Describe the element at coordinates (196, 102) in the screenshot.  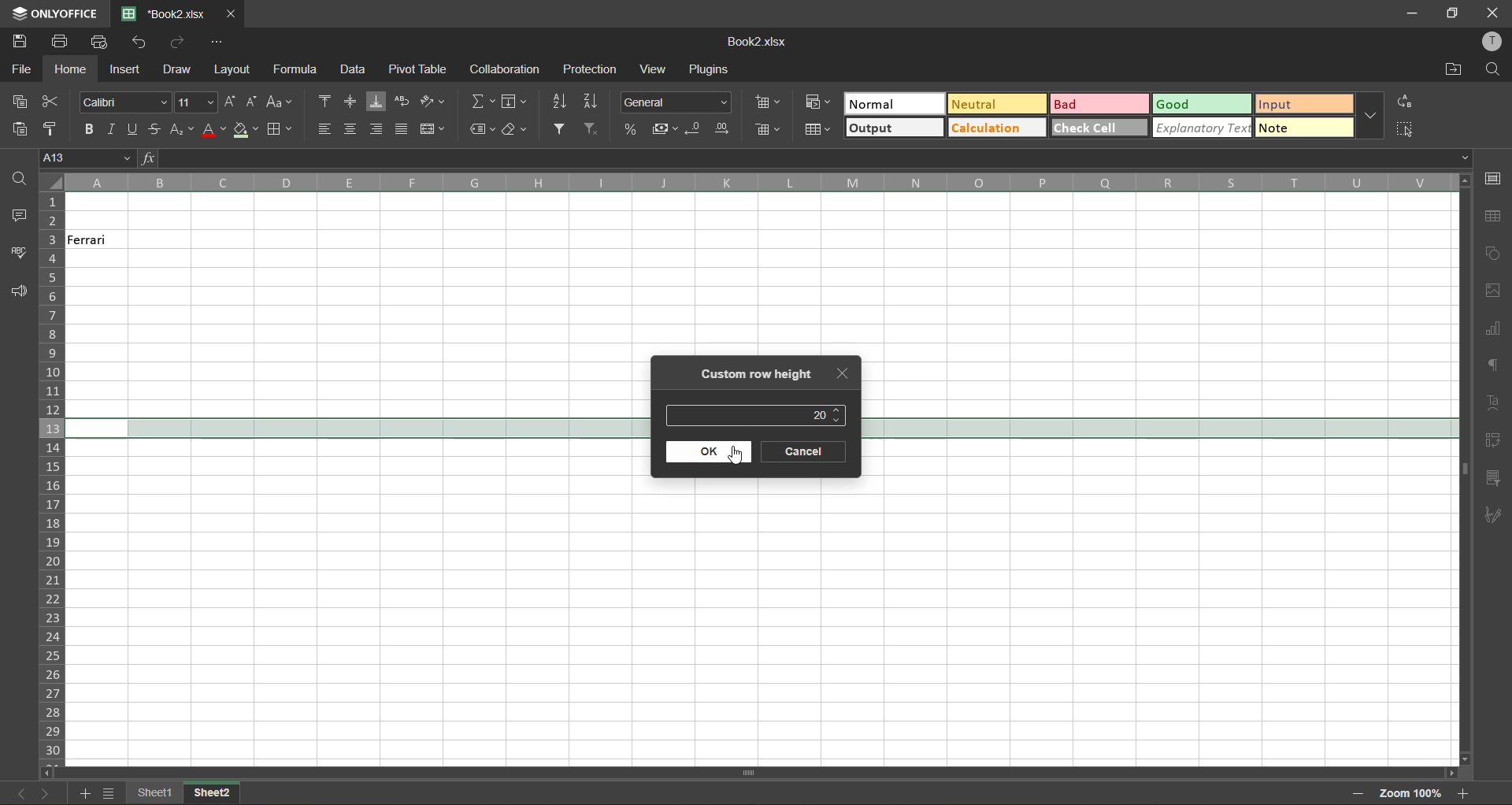
I see `font size` at that location.